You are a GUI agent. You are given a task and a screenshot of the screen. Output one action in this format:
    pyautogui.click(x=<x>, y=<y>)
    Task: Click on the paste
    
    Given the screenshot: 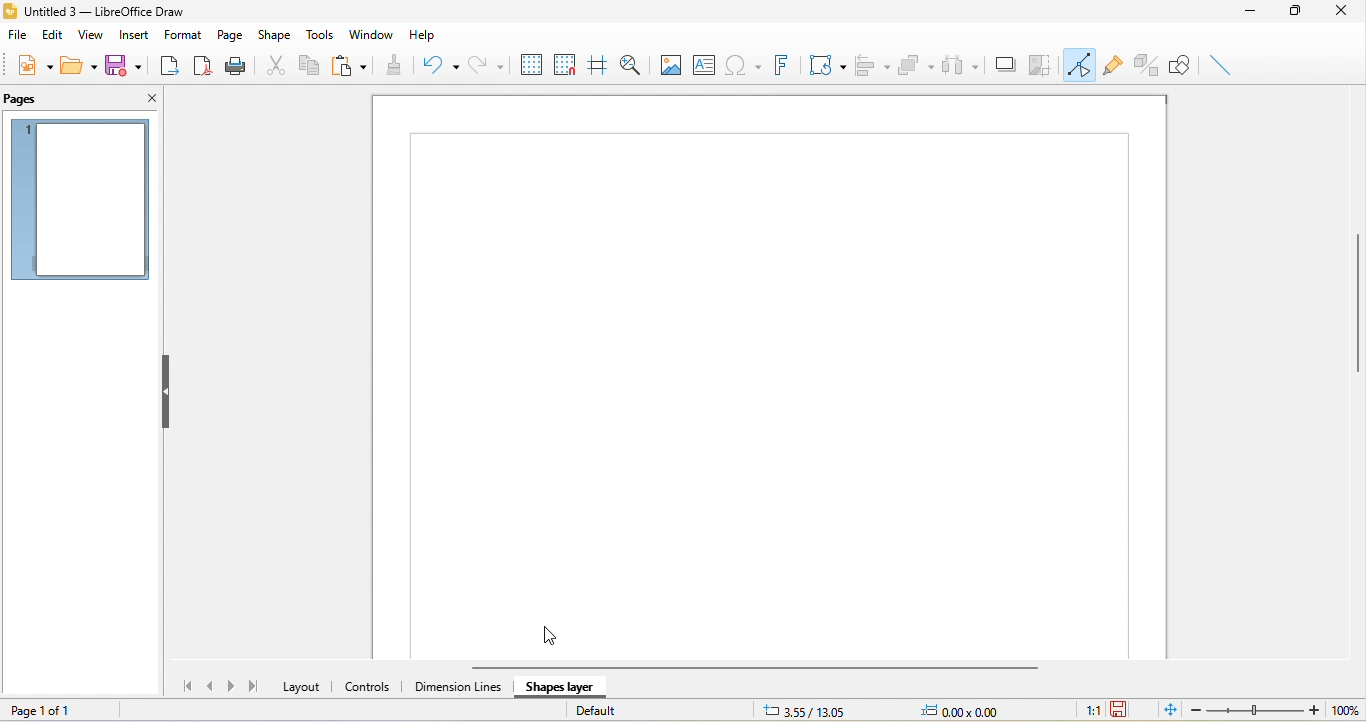 What is the action you would take?
    pyautogui.click(x=348, y=67)
    